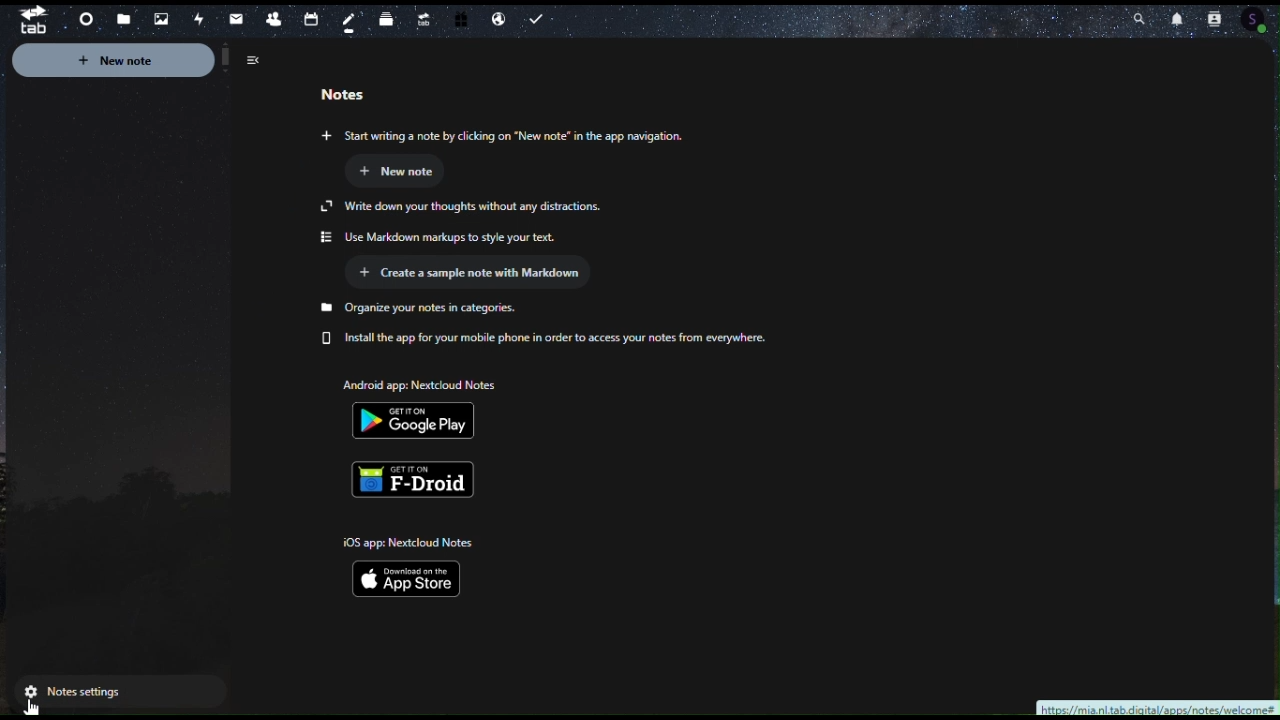 This screenshot has width=1280, height=720. What do you see at coordinates (422, 15) in the screenshot?
I see `Upgrade` at bounding box center [422, 15].